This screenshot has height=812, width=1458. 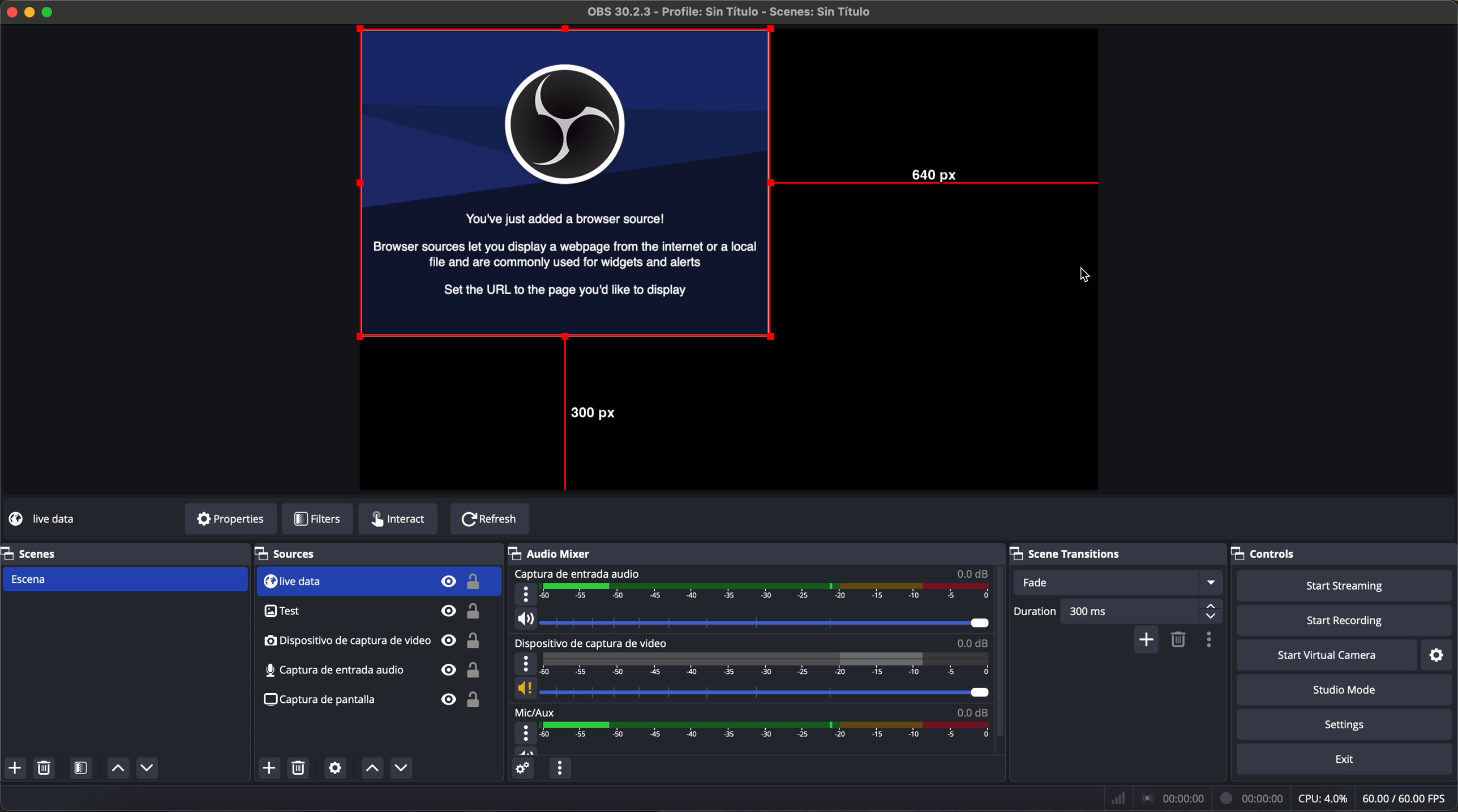 I want to click on advanced audio properties, so click(x=521, y=767).